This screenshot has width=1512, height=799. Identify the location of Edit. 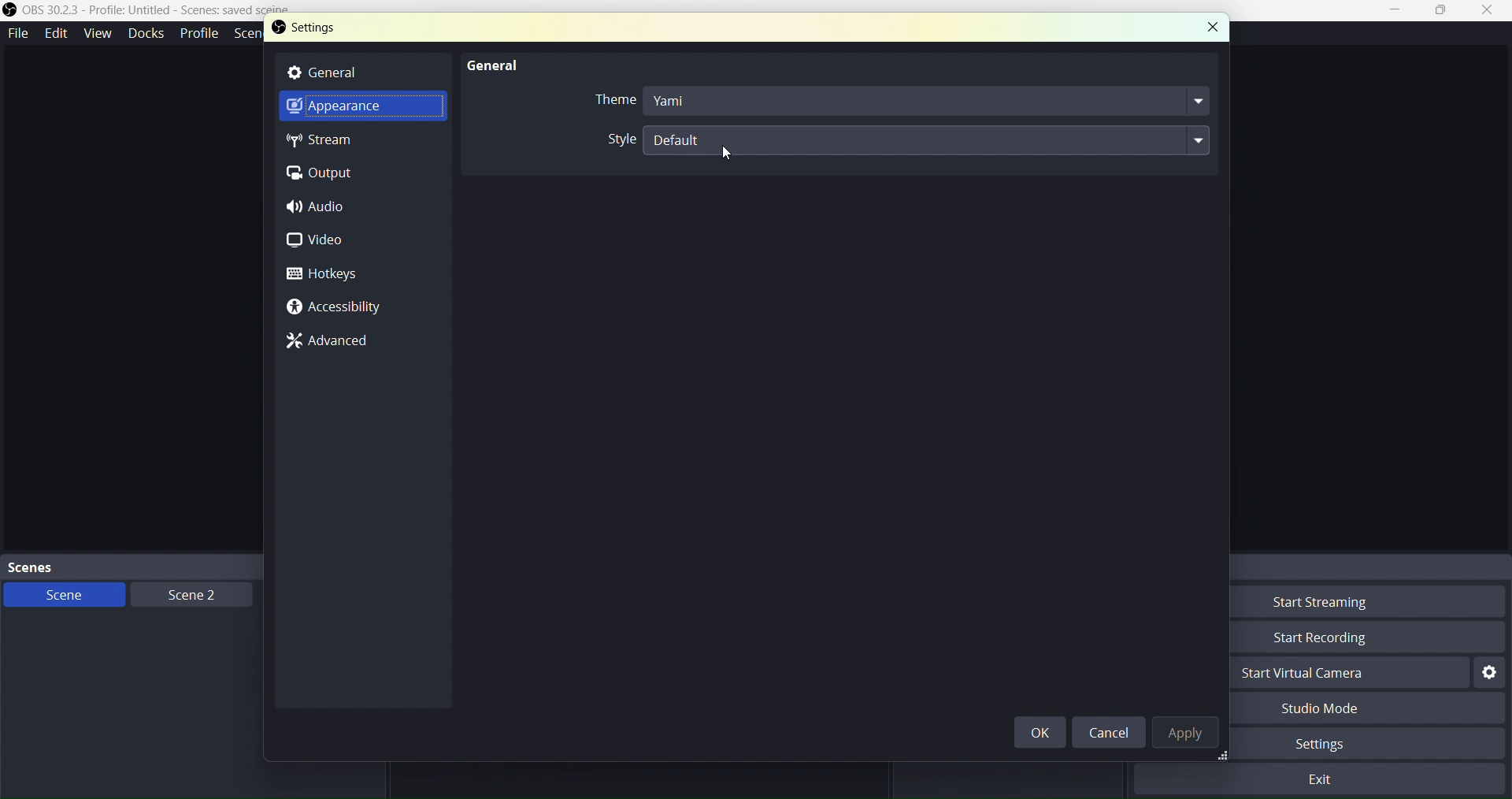
(57, 33).